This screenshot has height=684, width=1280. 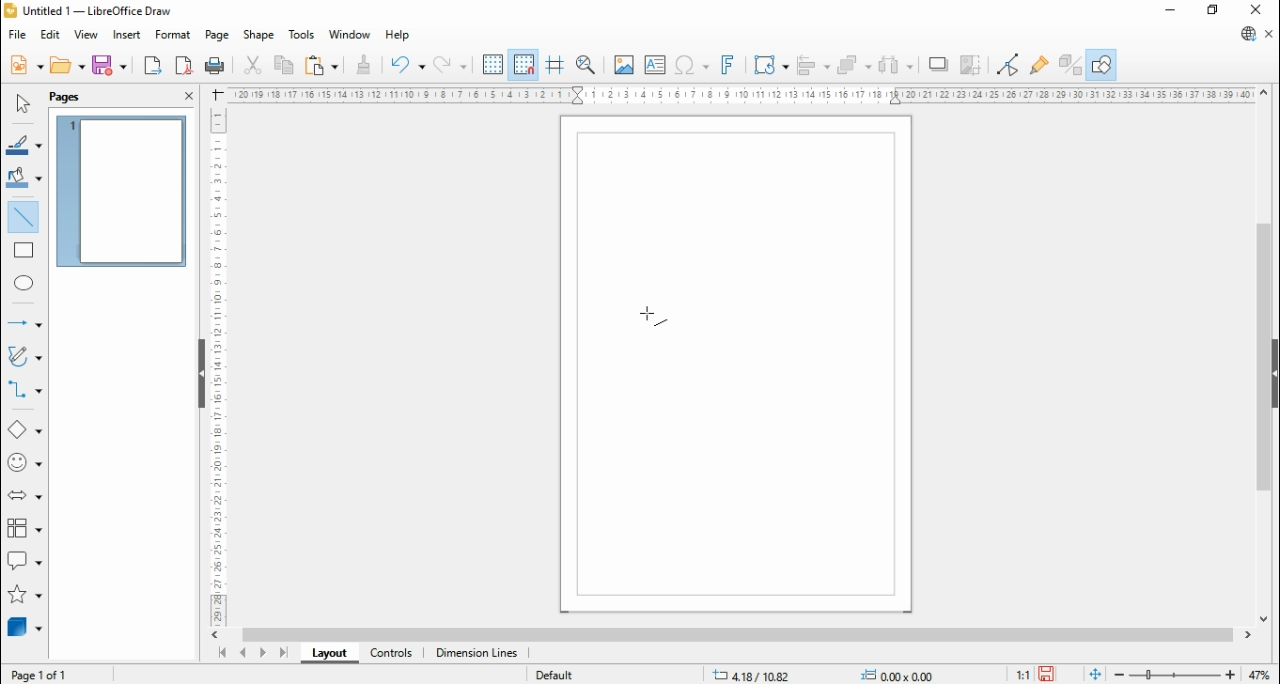 What do you see at coordinates (218, 67) in the screenshot?
I see `print` at bounding box center [218, 67].